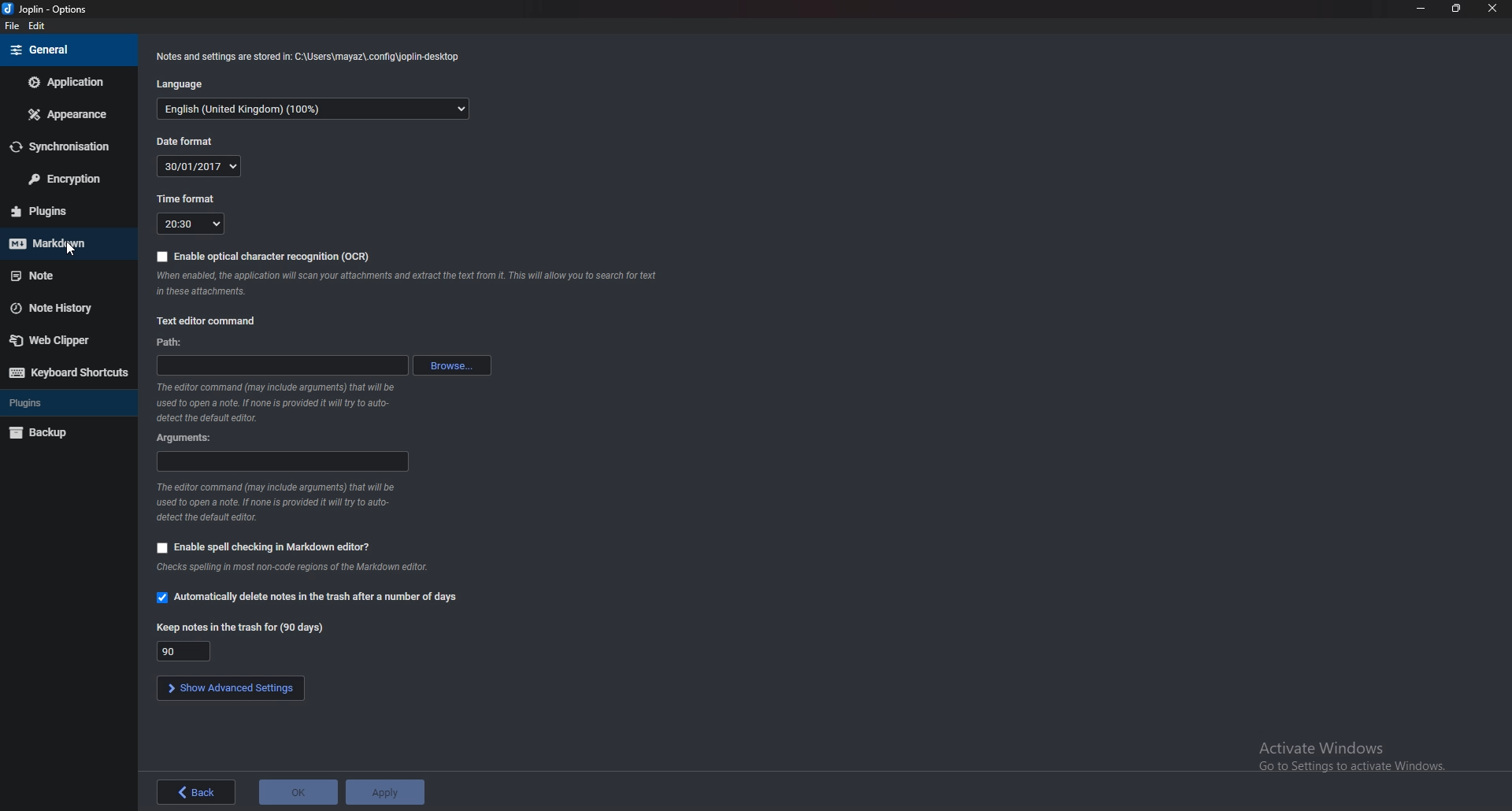 Image resolution: width=1512 pixels, height=811 pixels. I want to click on Arguments, so click(190, 438).